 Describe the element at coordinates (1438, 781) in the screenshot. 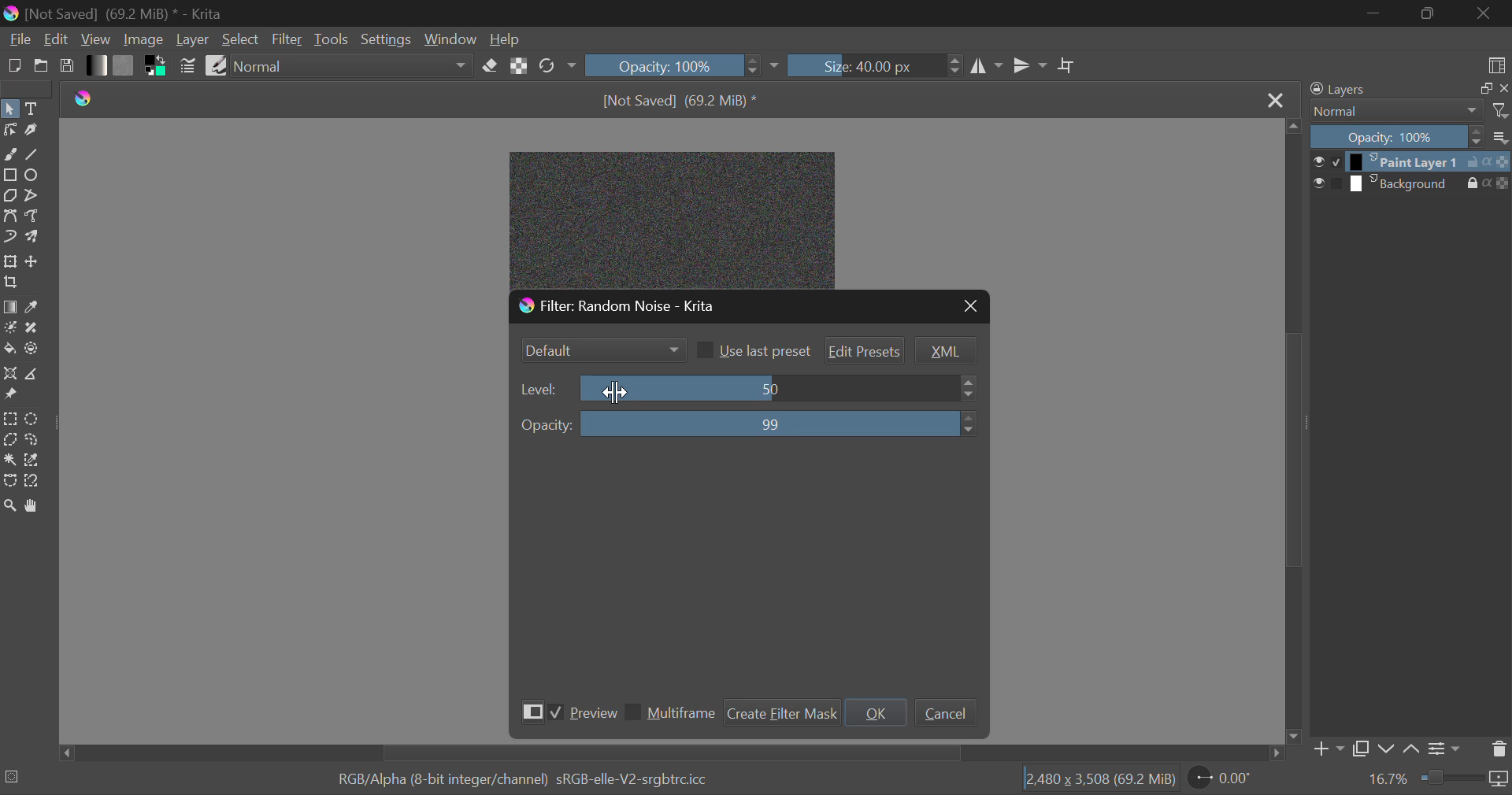

I see `Zoom` at that location.